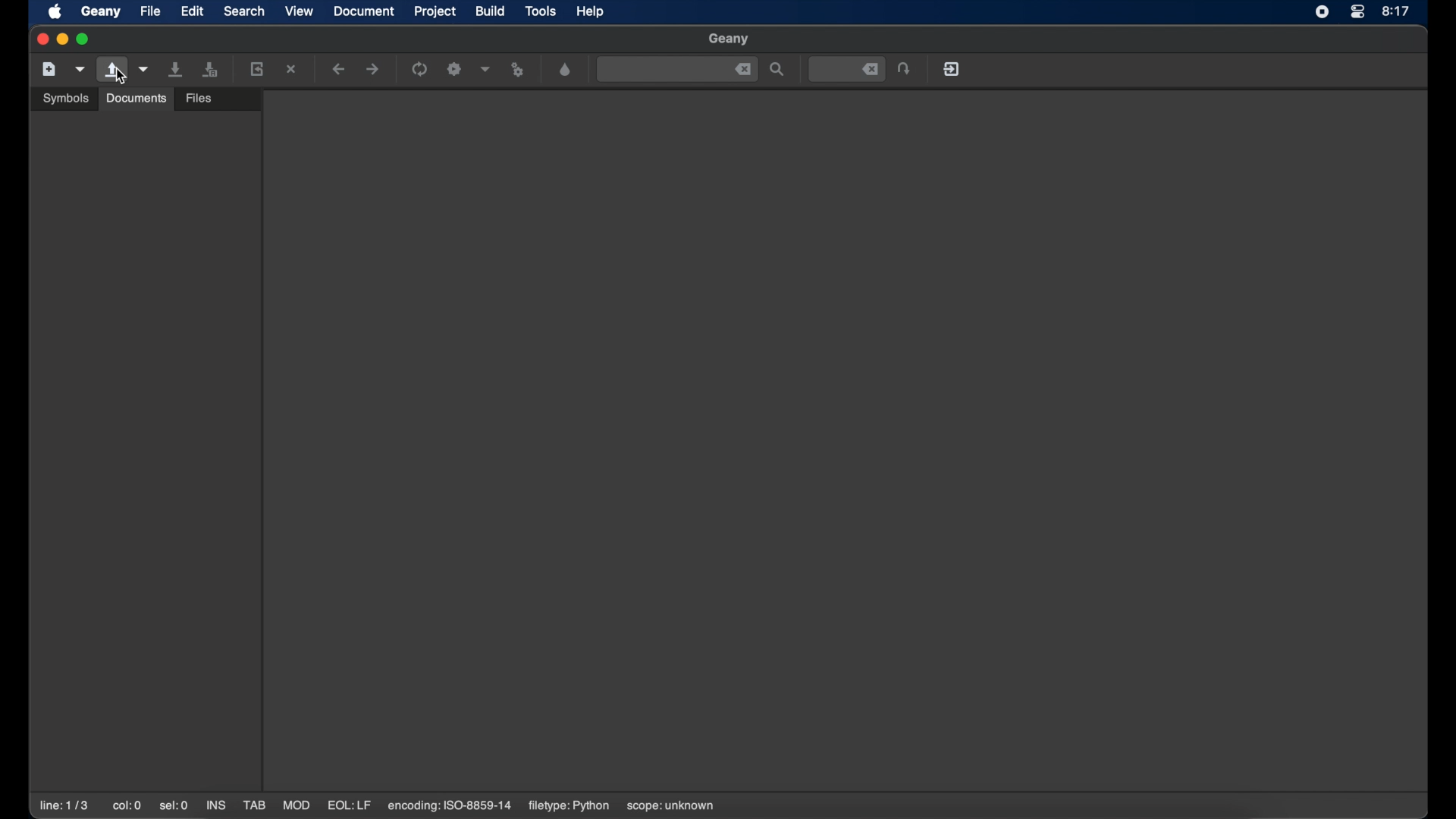  I want to click on screen recorder icon, so click(1321, 12).